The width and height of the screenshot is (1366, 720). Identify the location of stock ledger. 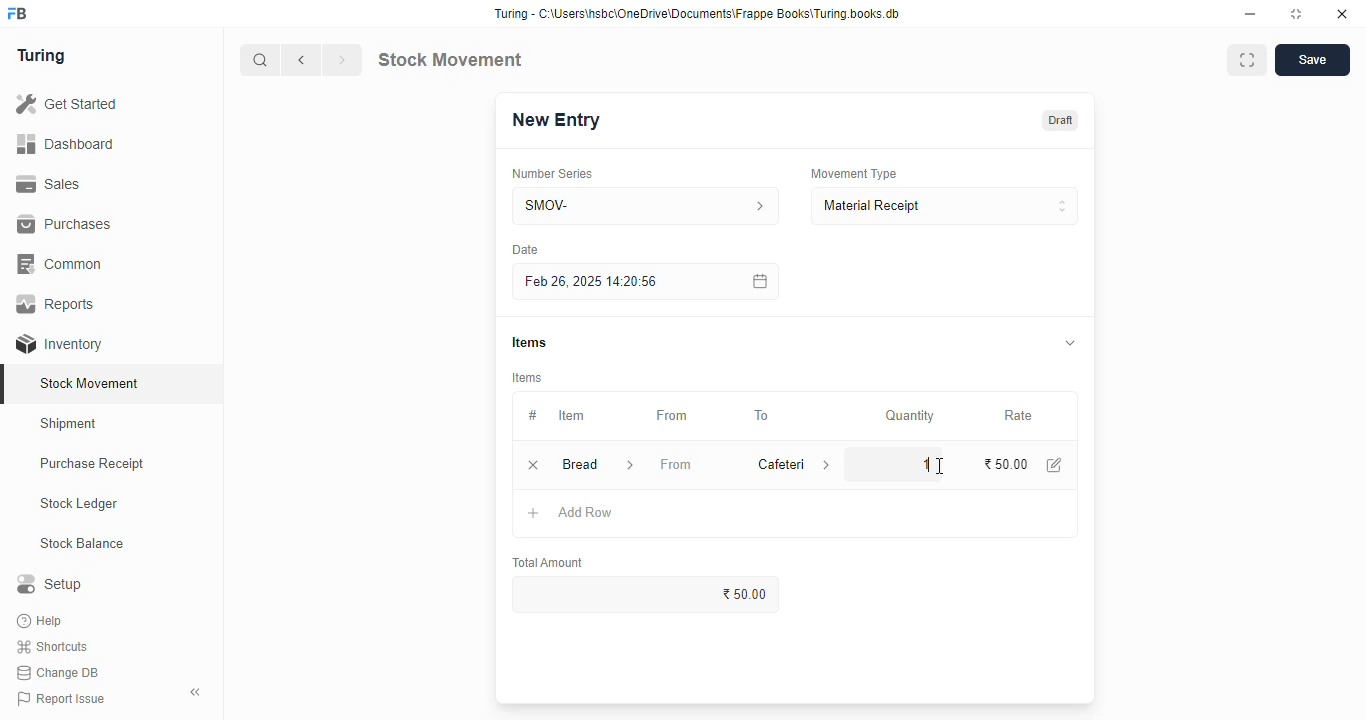
(80, 504).